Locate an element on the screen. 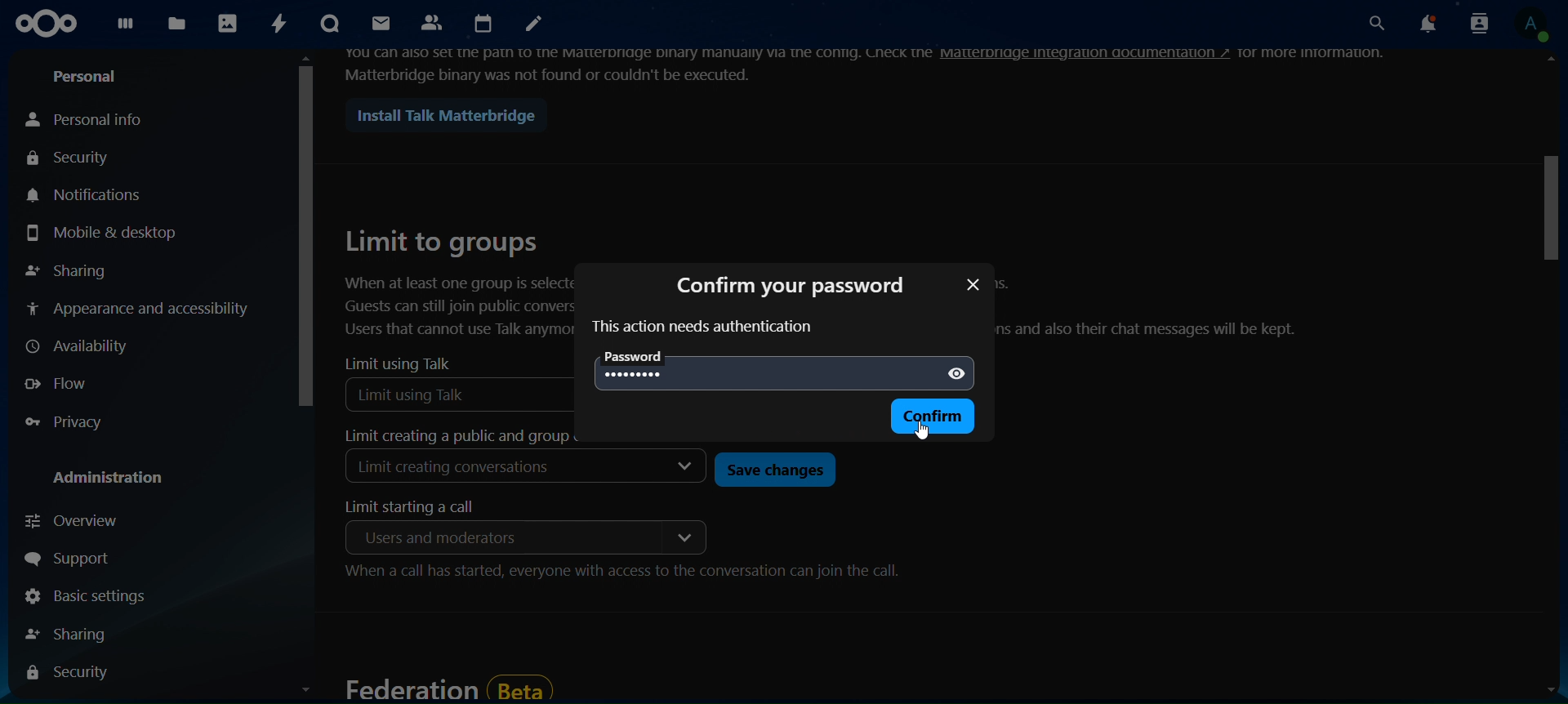 This screenshot has height=704, width=1568. mobile & desktop is located at coordinates (102, 234).